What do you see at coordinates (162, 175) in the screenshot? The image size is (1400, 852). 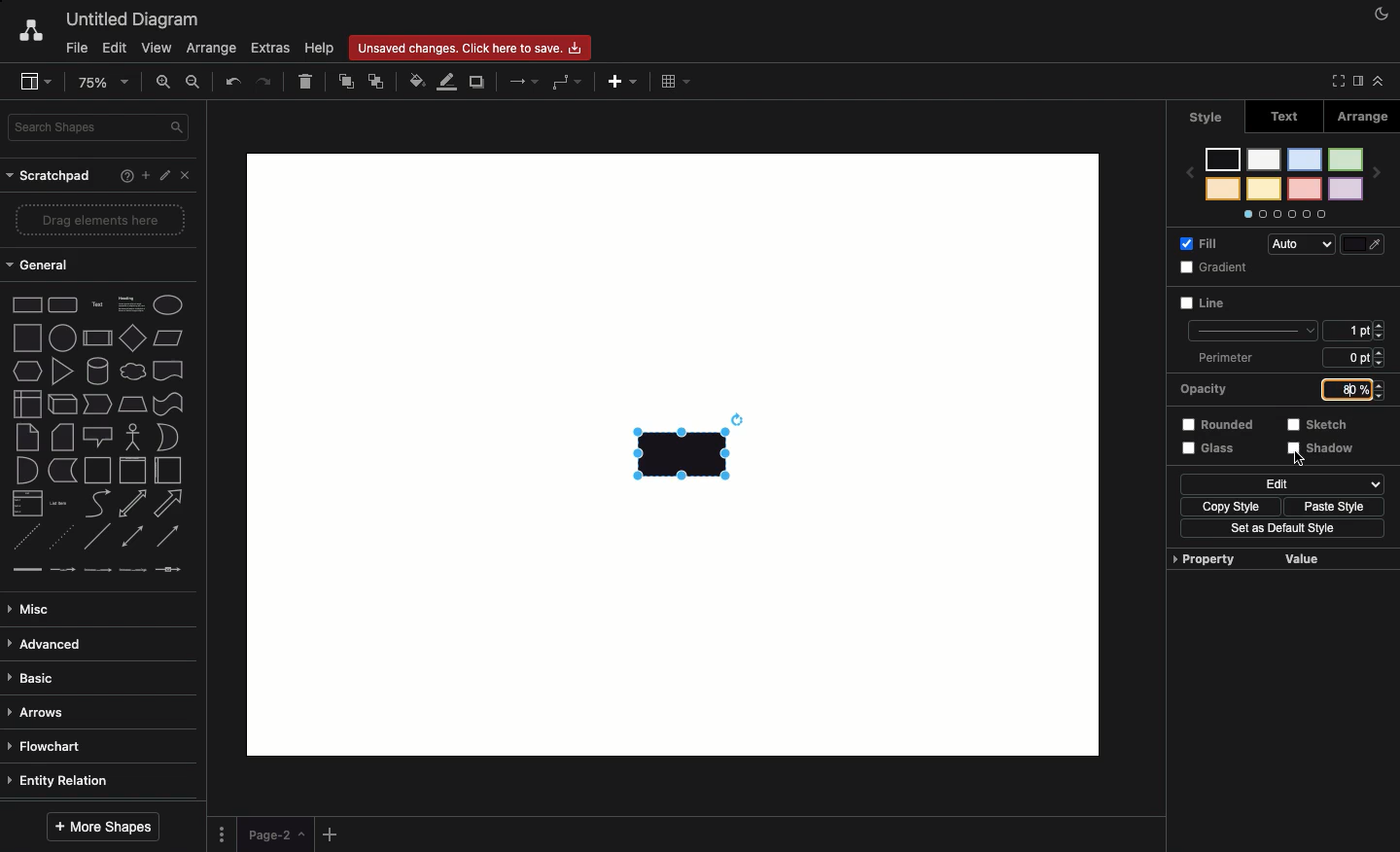 I see `Edit` at bounding box center [162, 175].